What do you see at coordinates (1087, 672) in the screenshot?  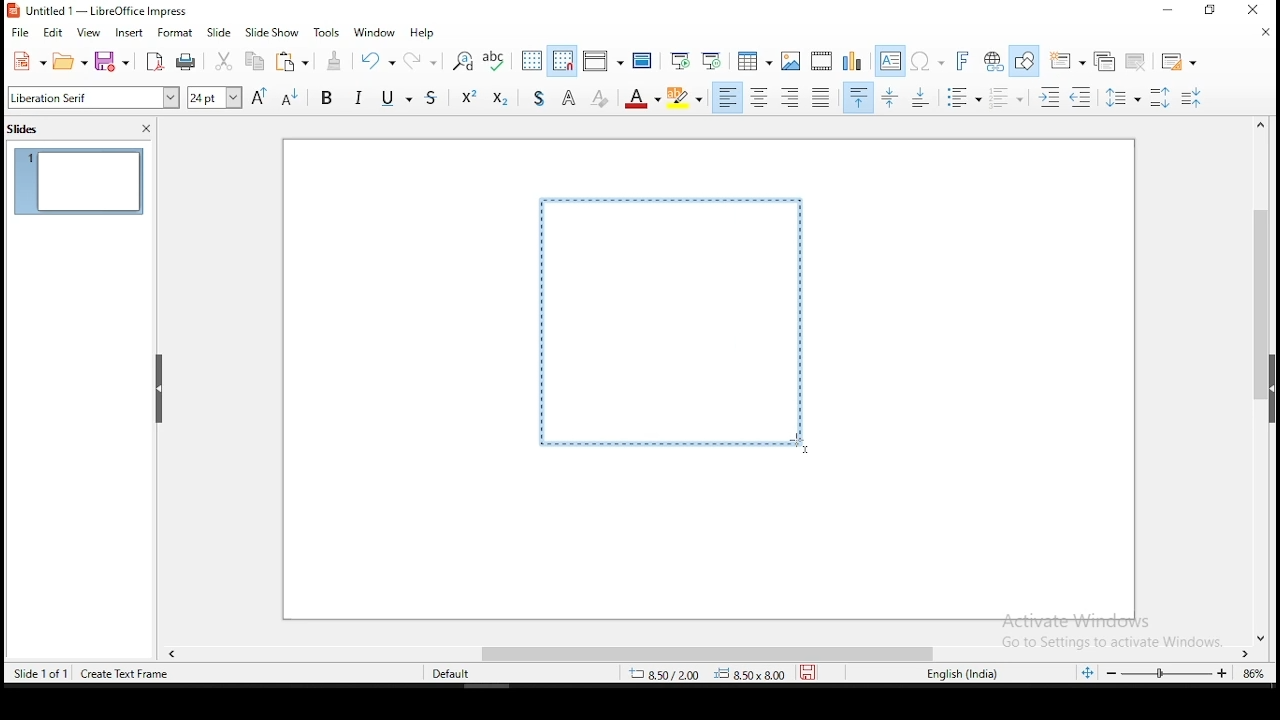 I see `fit slide to current window` at bounding box center [1087, 672].